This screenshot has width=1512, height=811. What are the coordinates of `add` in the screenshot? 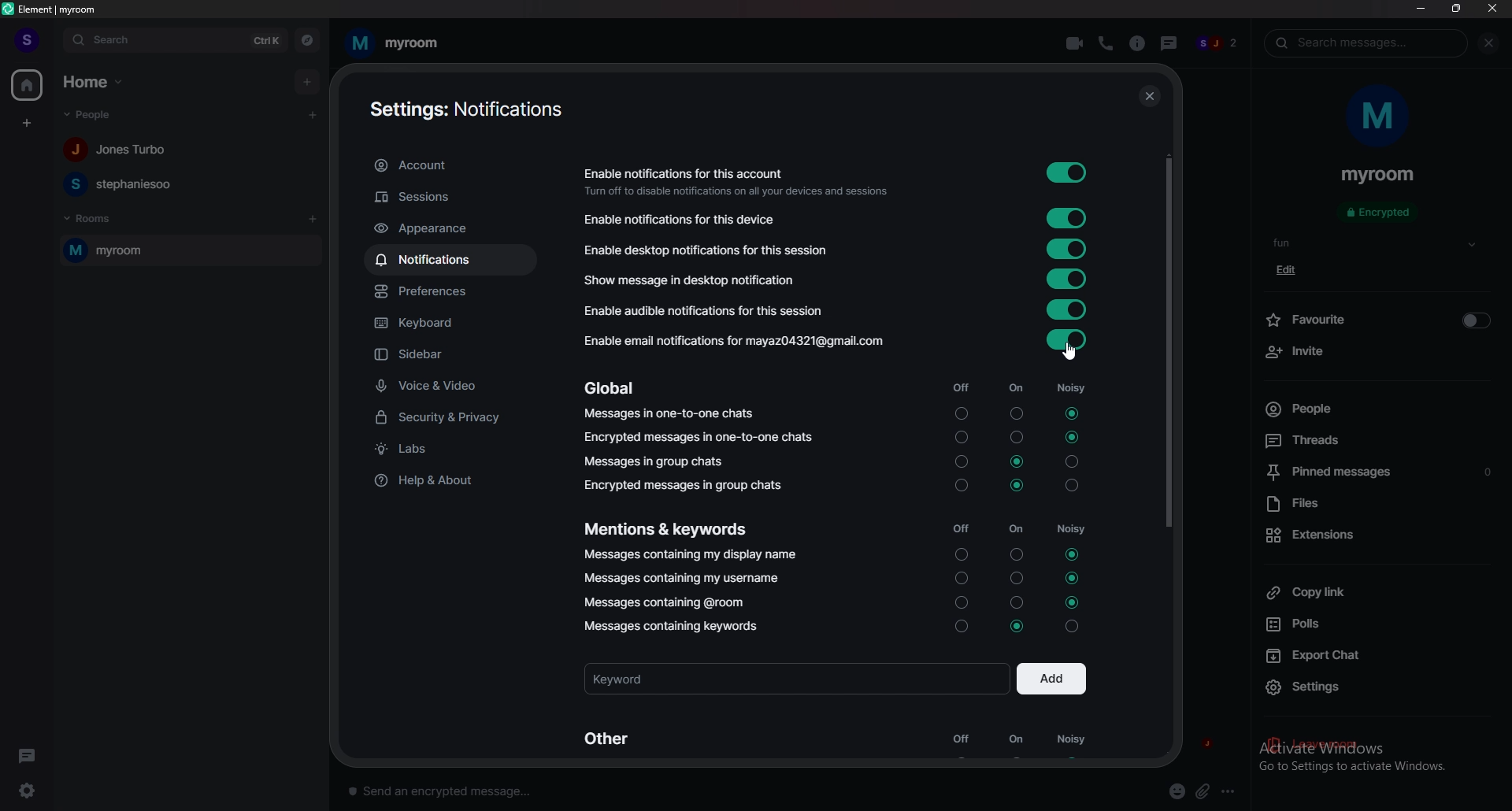 It's located at (1051, 677).